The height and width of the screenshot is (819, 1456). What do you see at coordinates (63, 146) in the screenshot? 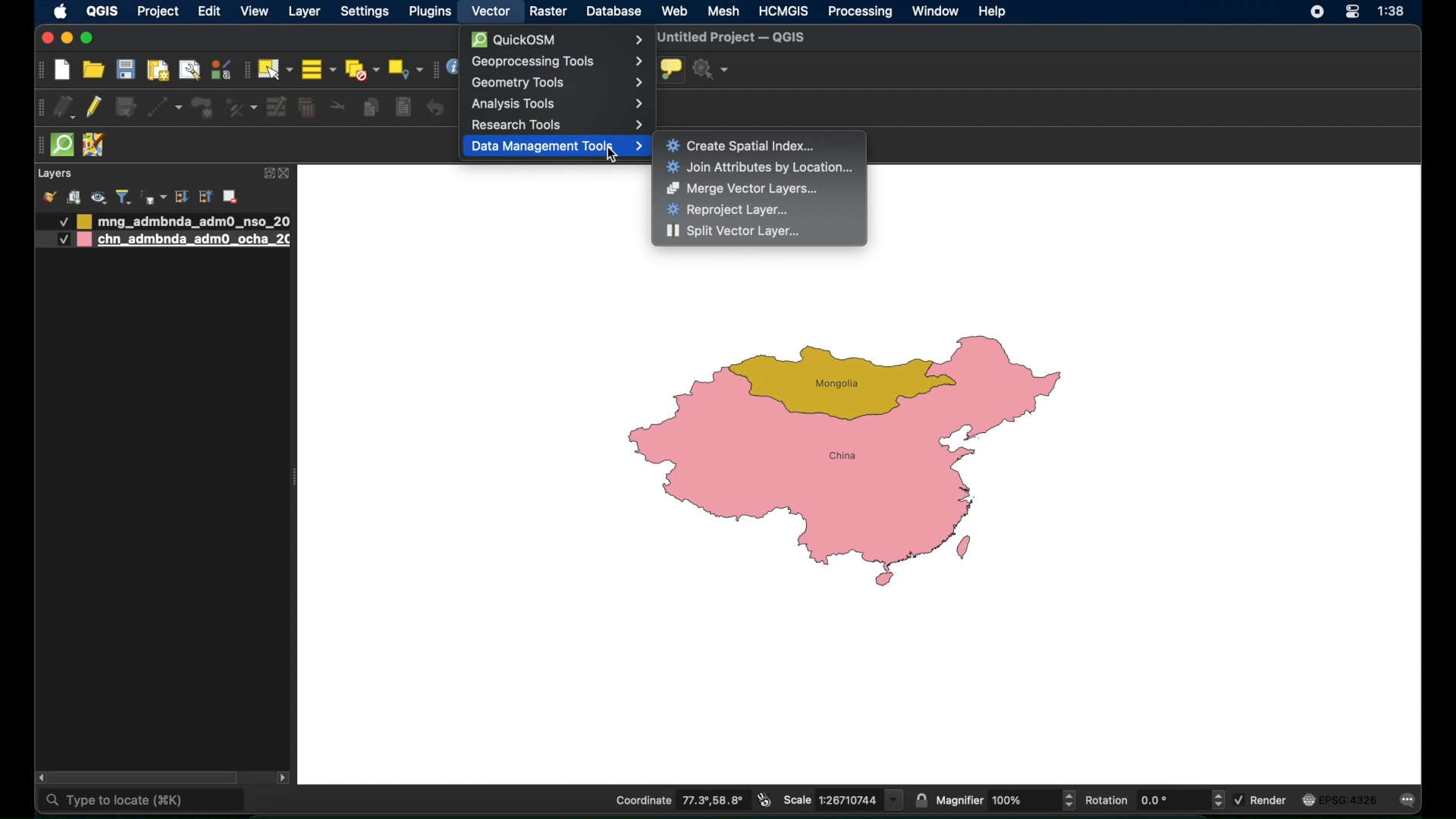
I see `quick osm` at bounding box center [63, 146].